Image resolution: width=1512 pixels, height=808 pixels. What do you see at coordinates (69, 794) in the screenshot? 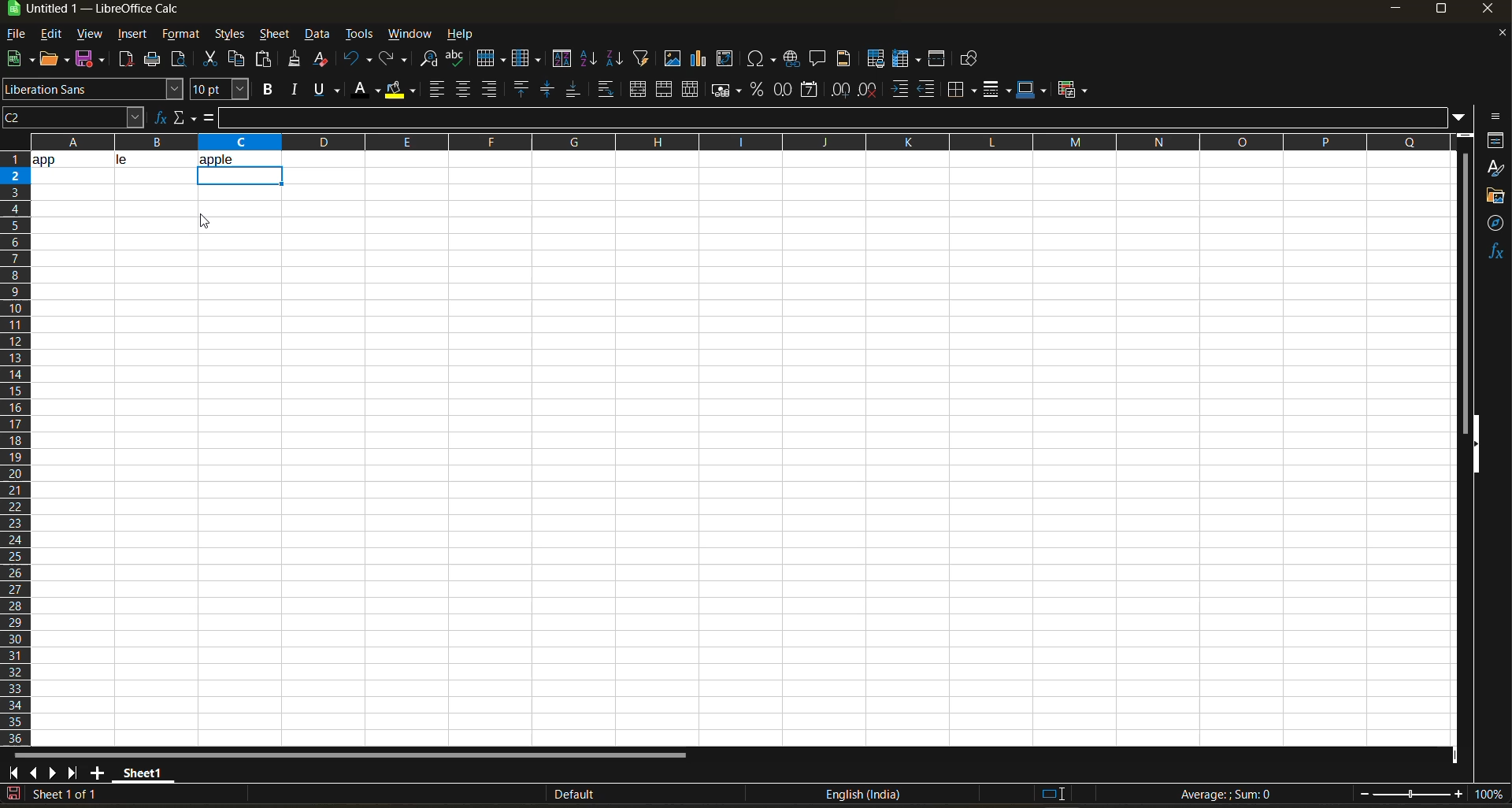
I see `sheet number` at bounding box center [69, 794].